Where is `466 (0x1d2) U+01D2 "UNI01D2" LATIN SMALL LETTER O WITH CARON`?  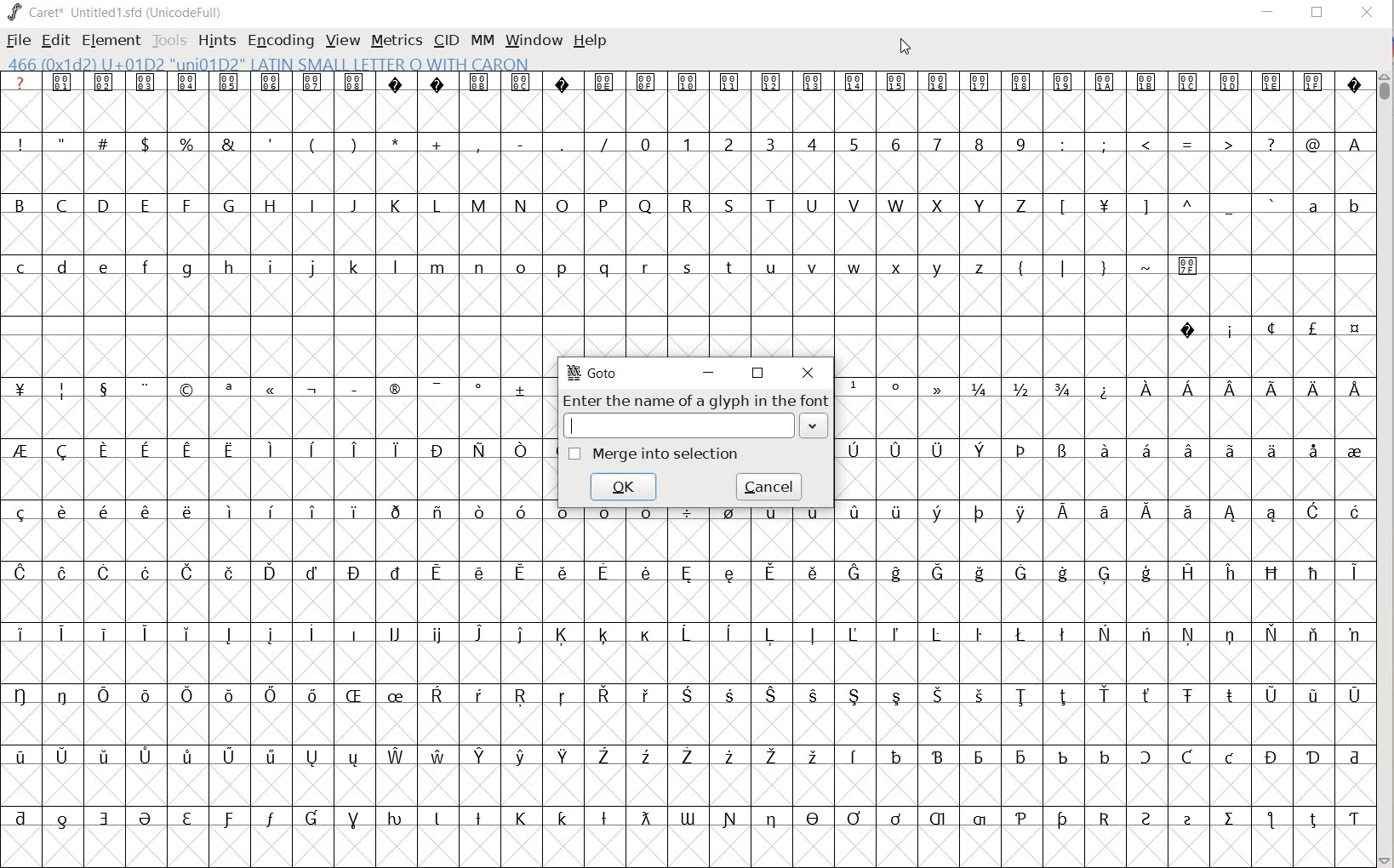 466 (0x1d2) U+01D2 "UNI01D2" LATIN SMALL LETTER O WITH CARON is located at coordinates (269, 65).